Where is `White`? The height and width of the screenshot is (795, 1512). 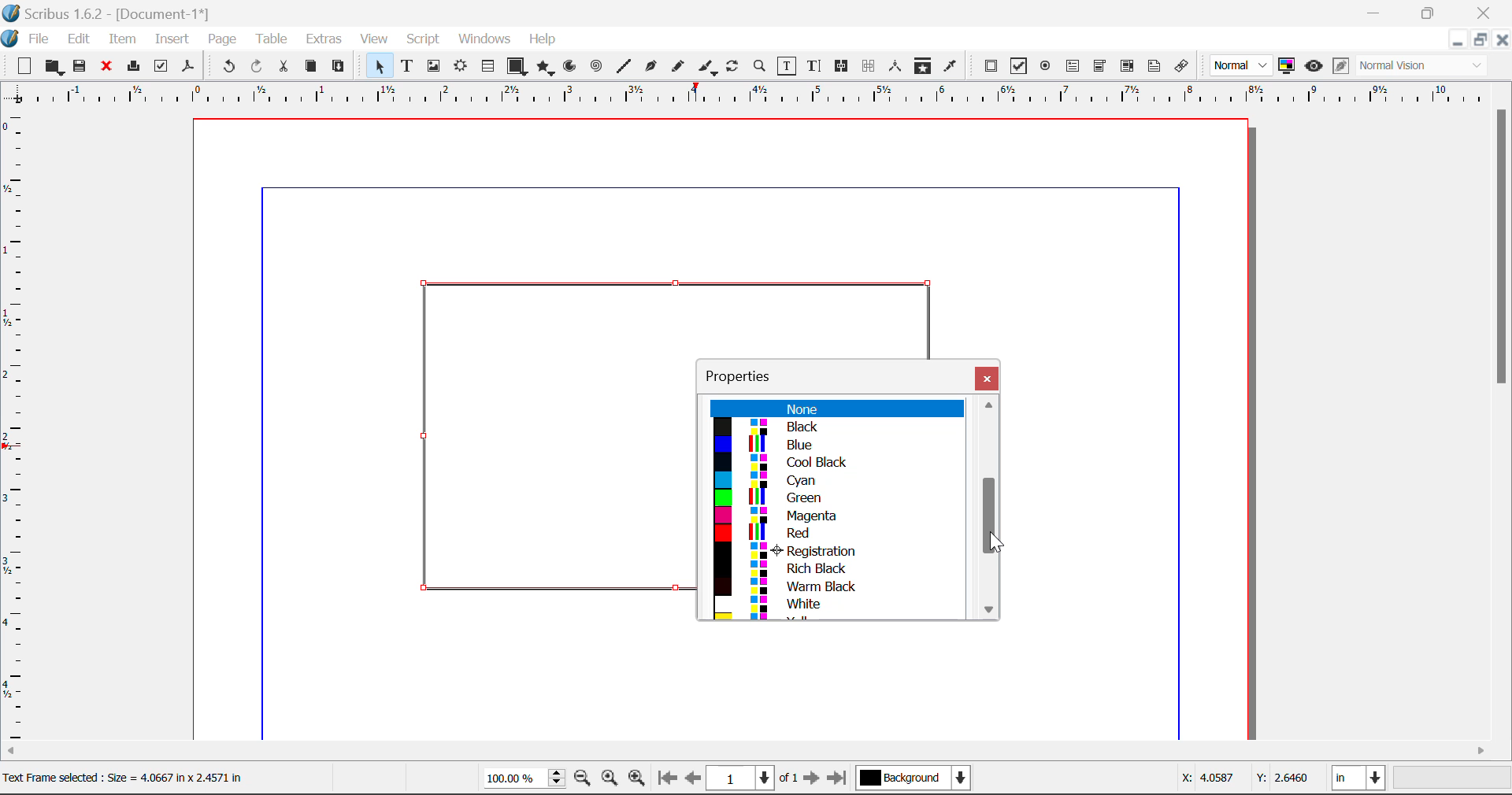 White is located at coordinates (838, 605).